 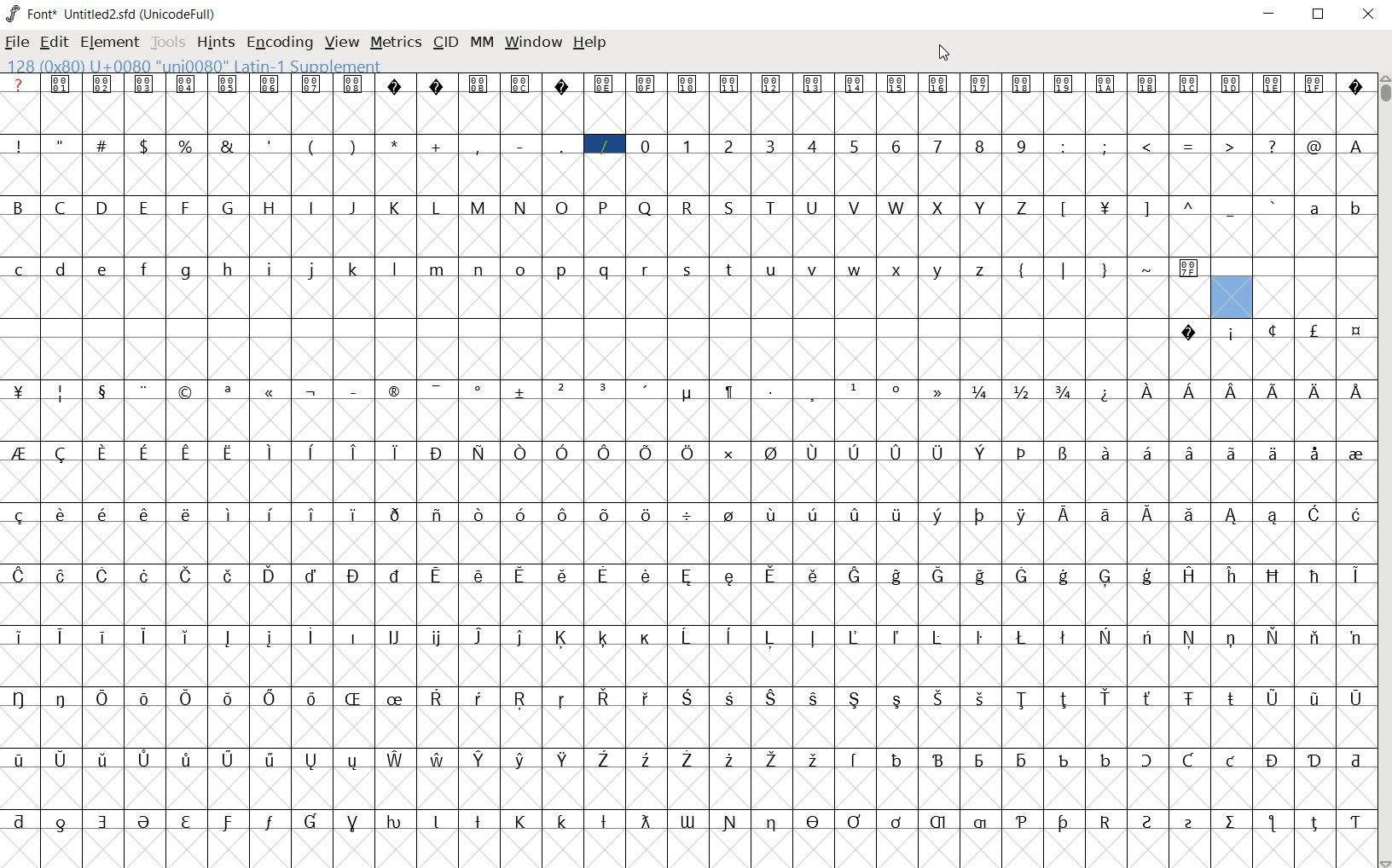 I want to click on glyph, so click(x=520, y=760).